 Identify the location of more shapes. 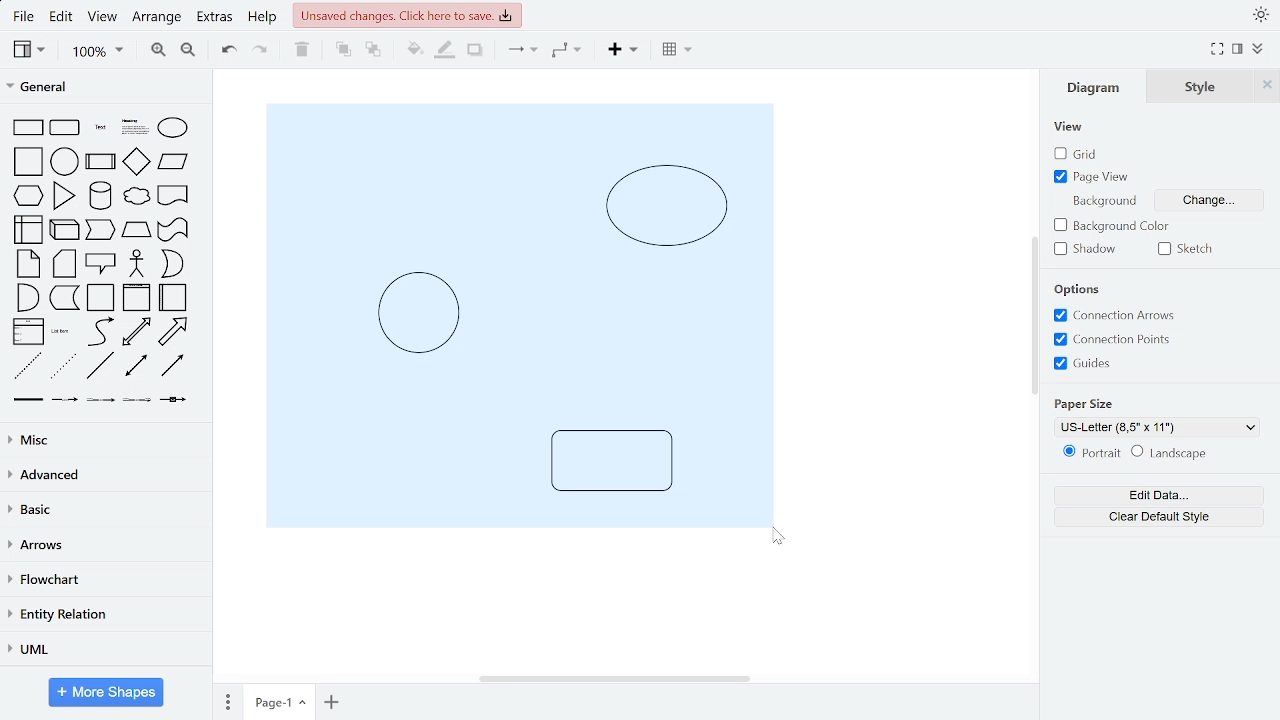
(108, 692).